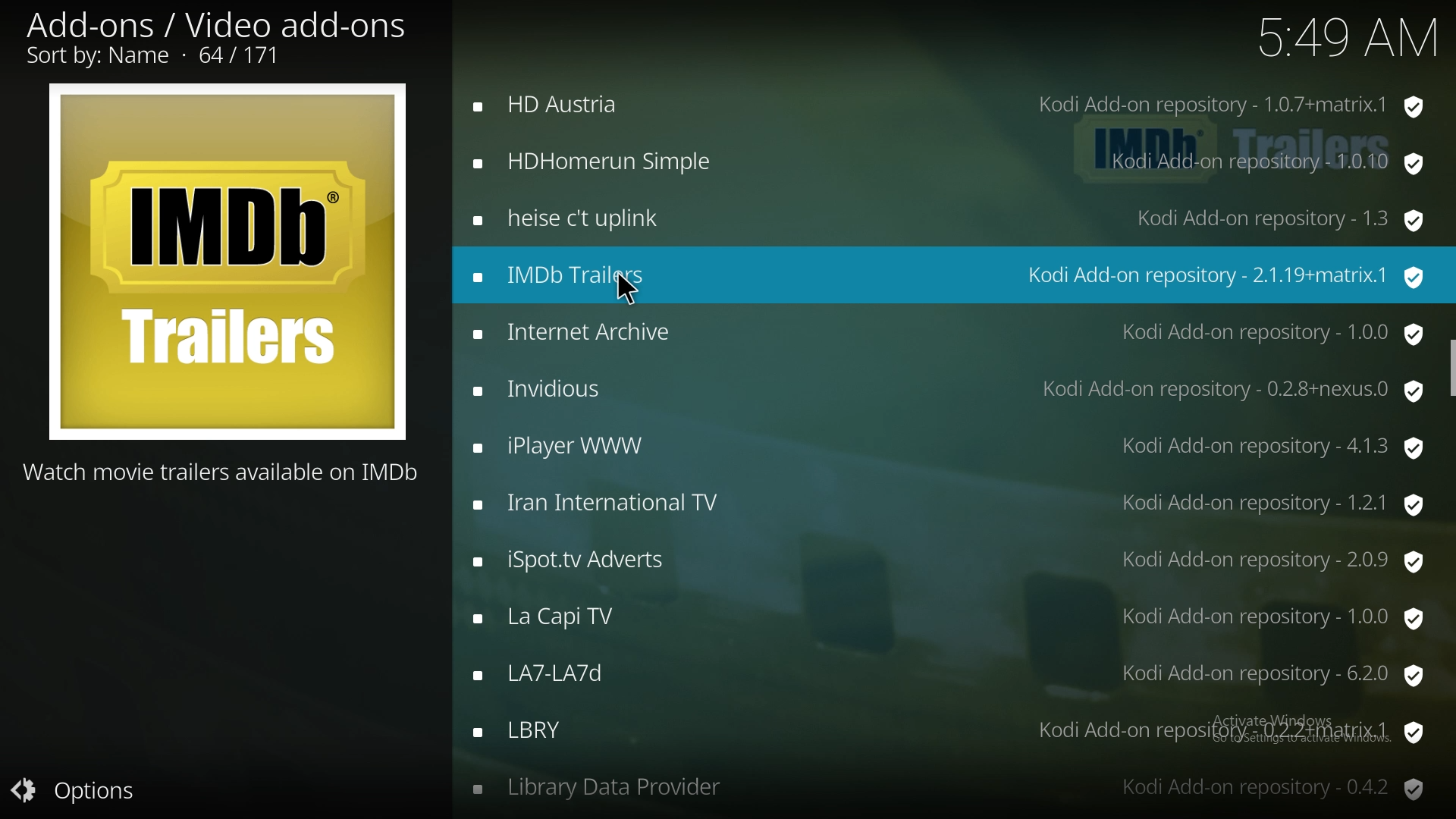 The height and width of the screenshot is (819, 1456). What do you see at coordinates (948, 336) in the screenshot?
I see `add on` at bounding box center [948, 336].